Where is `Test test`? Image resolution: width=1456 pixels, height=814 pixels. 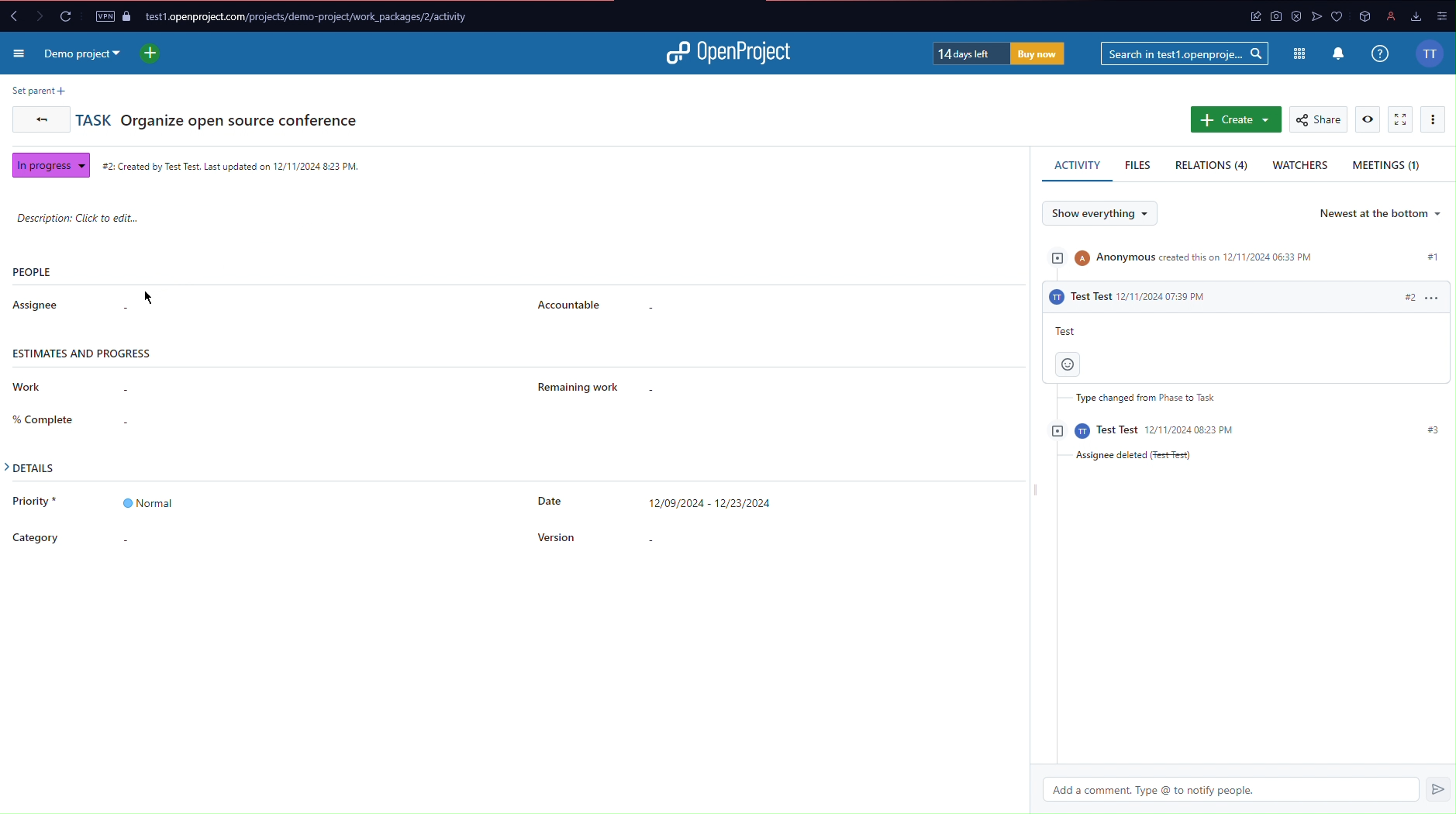
Test test is located at coordinates (1132, 296).